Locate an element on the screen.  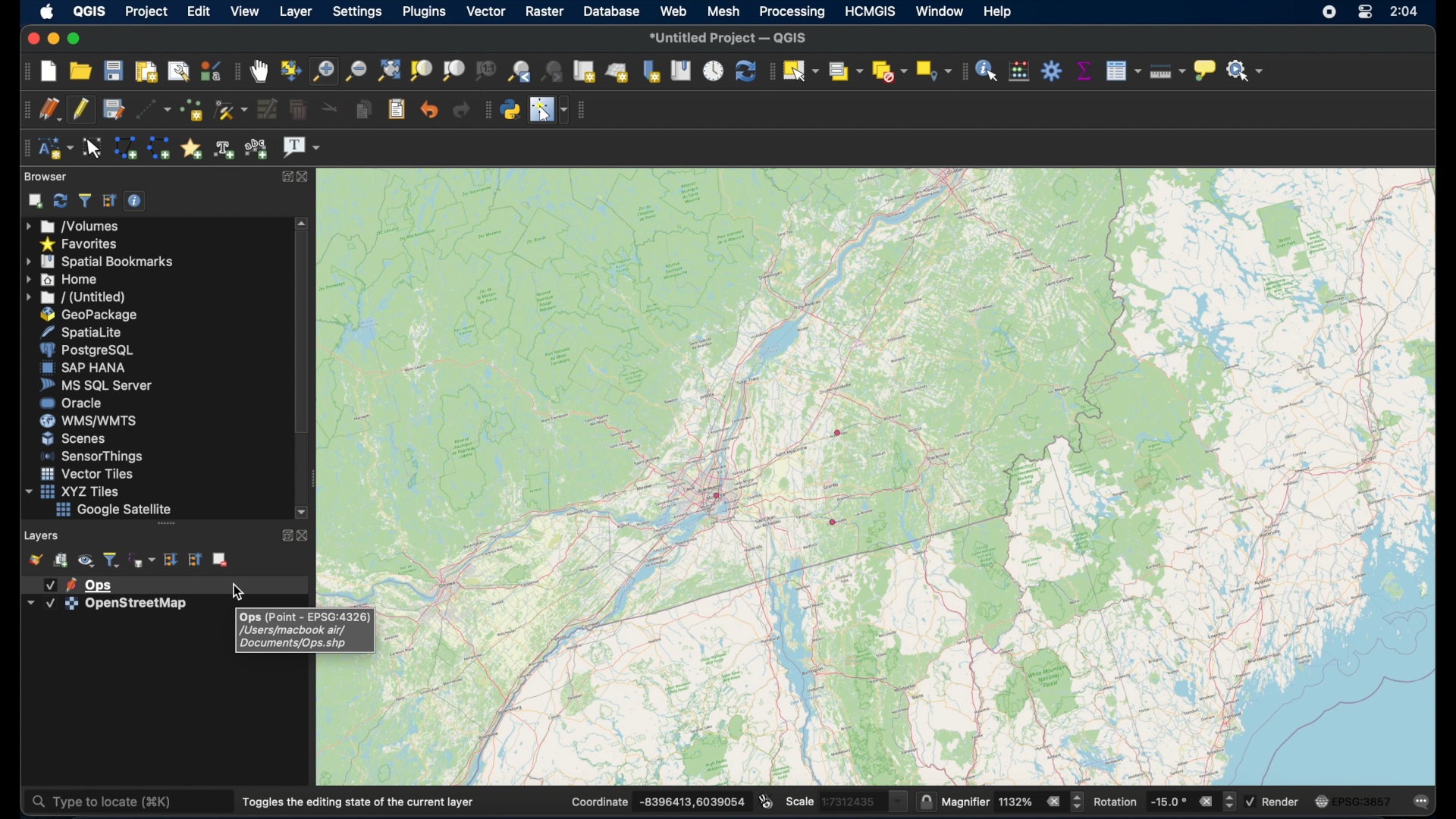
create text annotation along line is located at coordinates (258, 149).